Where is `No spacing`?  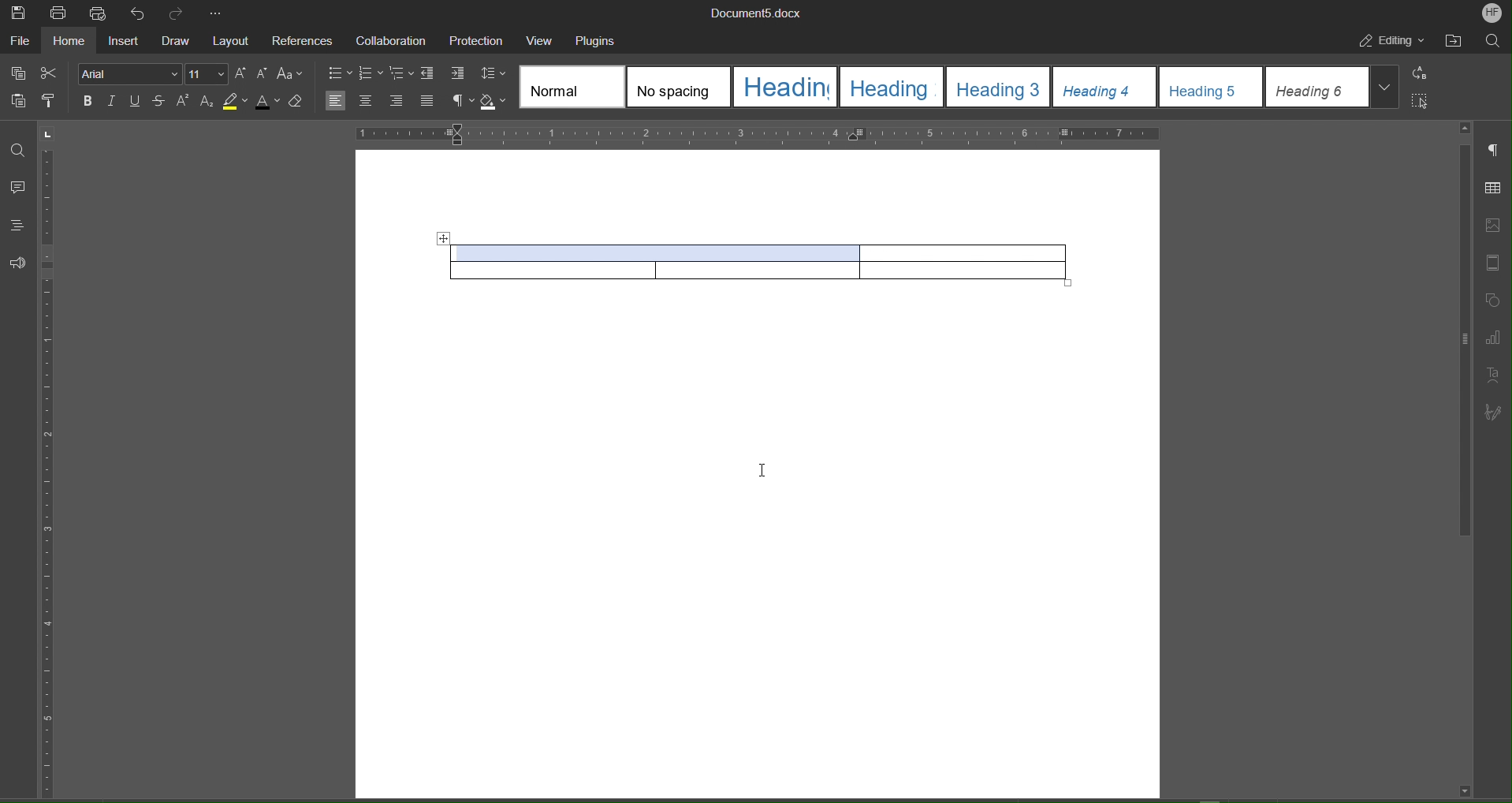
No spacing is located at coordinates (679, 87).